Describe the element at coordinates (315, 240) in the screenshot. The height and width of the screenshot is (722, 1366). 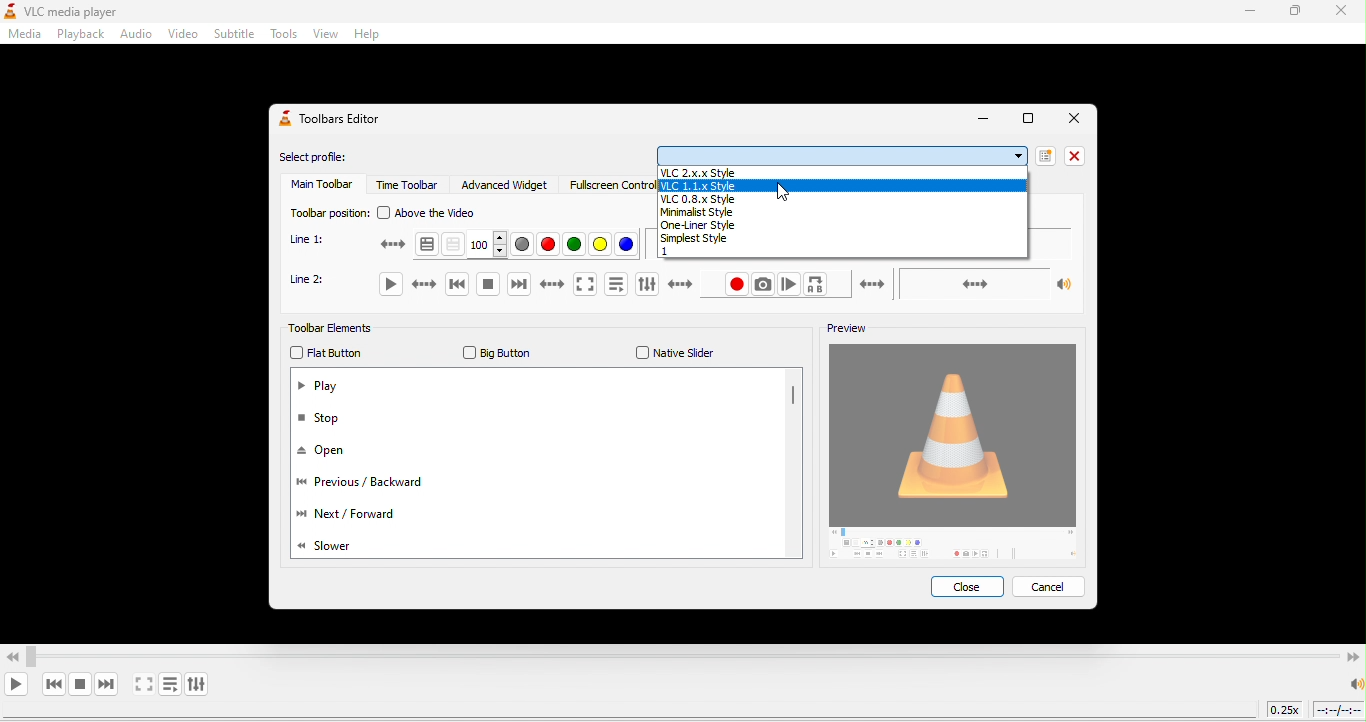
I see `line 1` at that location.